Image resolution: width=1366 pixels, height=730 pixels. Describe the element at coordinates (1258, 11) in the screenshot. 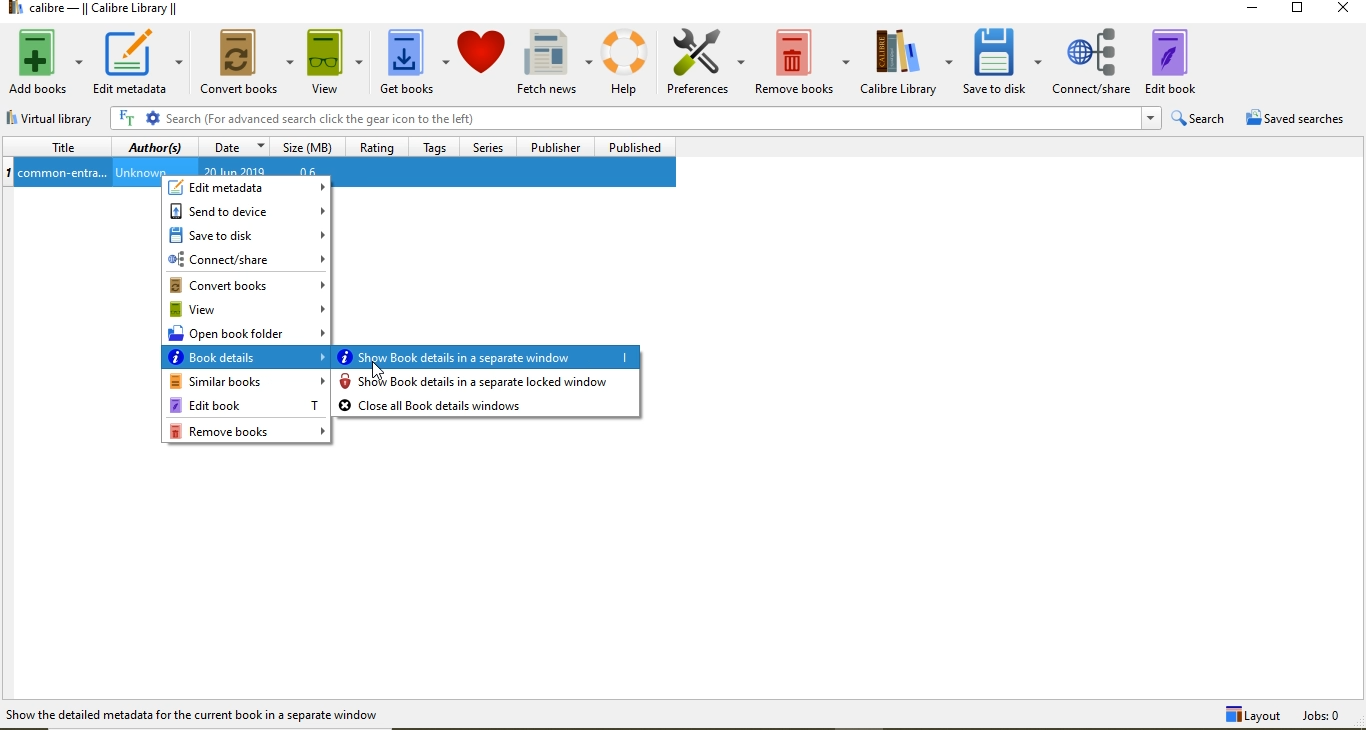

I see `minimise` at that location.